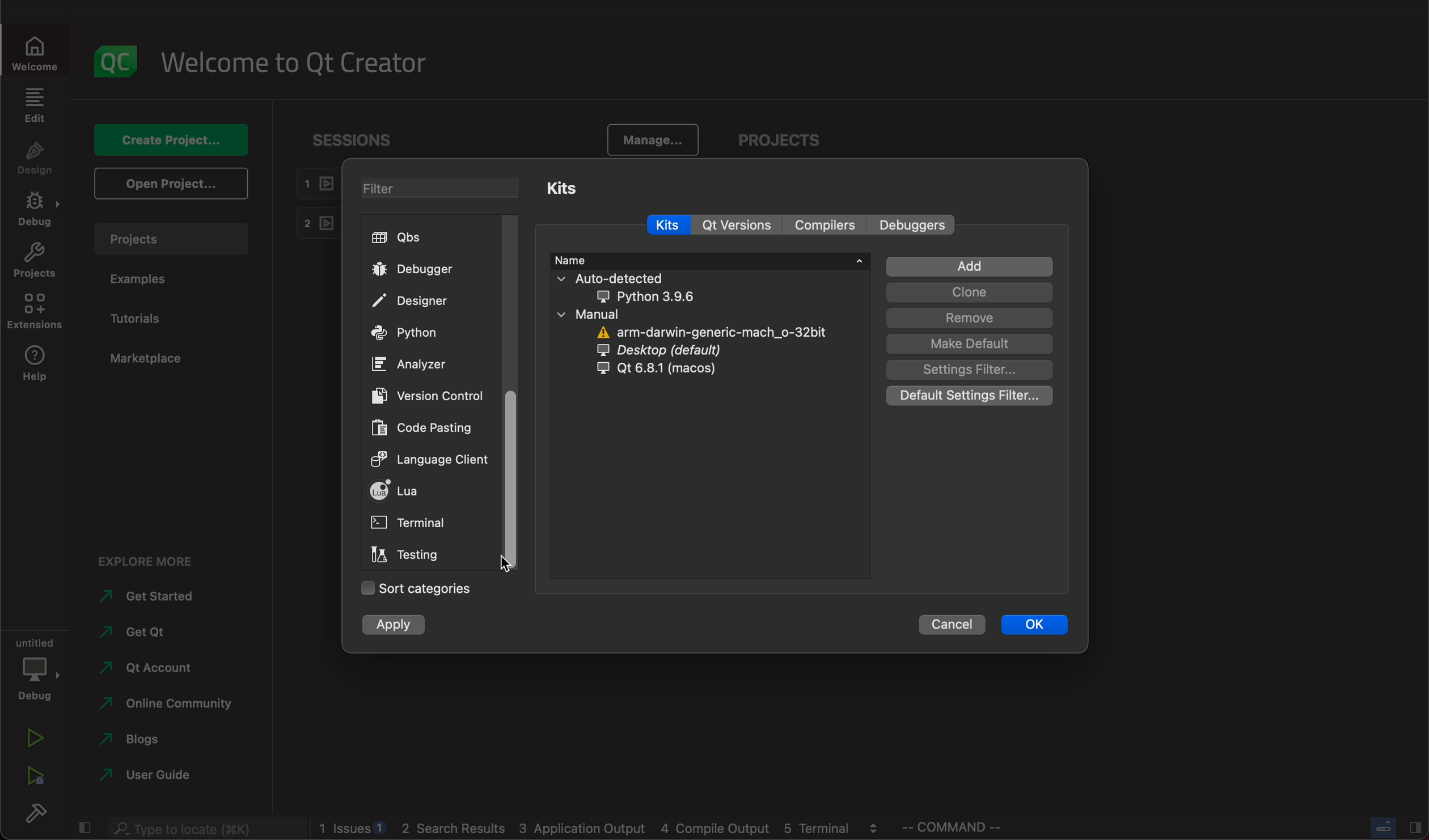 Image resolution: width=1429 pixels, height=840 pixels. Describe the element at coordinates (40, 816) in the screenshot. I see `build` at that location.